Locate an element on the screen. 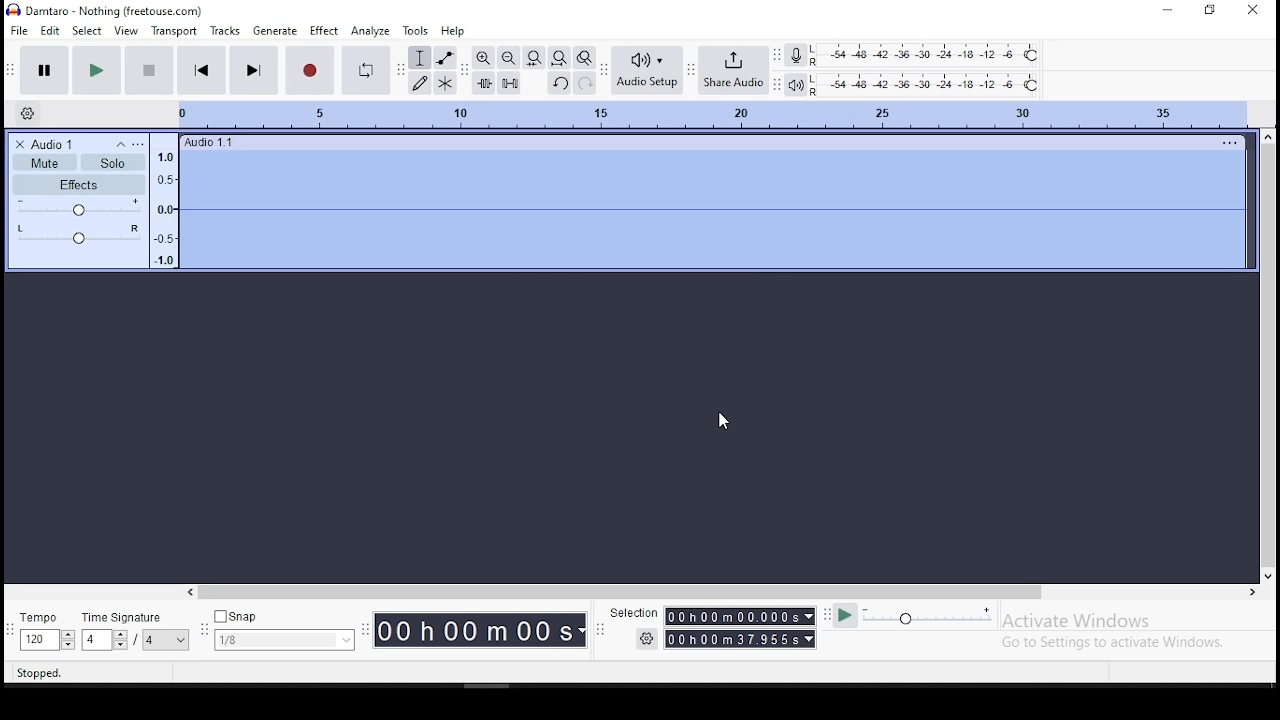 This screenshot has height=720, width=1280. audio setup is located at coordinates (647, 71).